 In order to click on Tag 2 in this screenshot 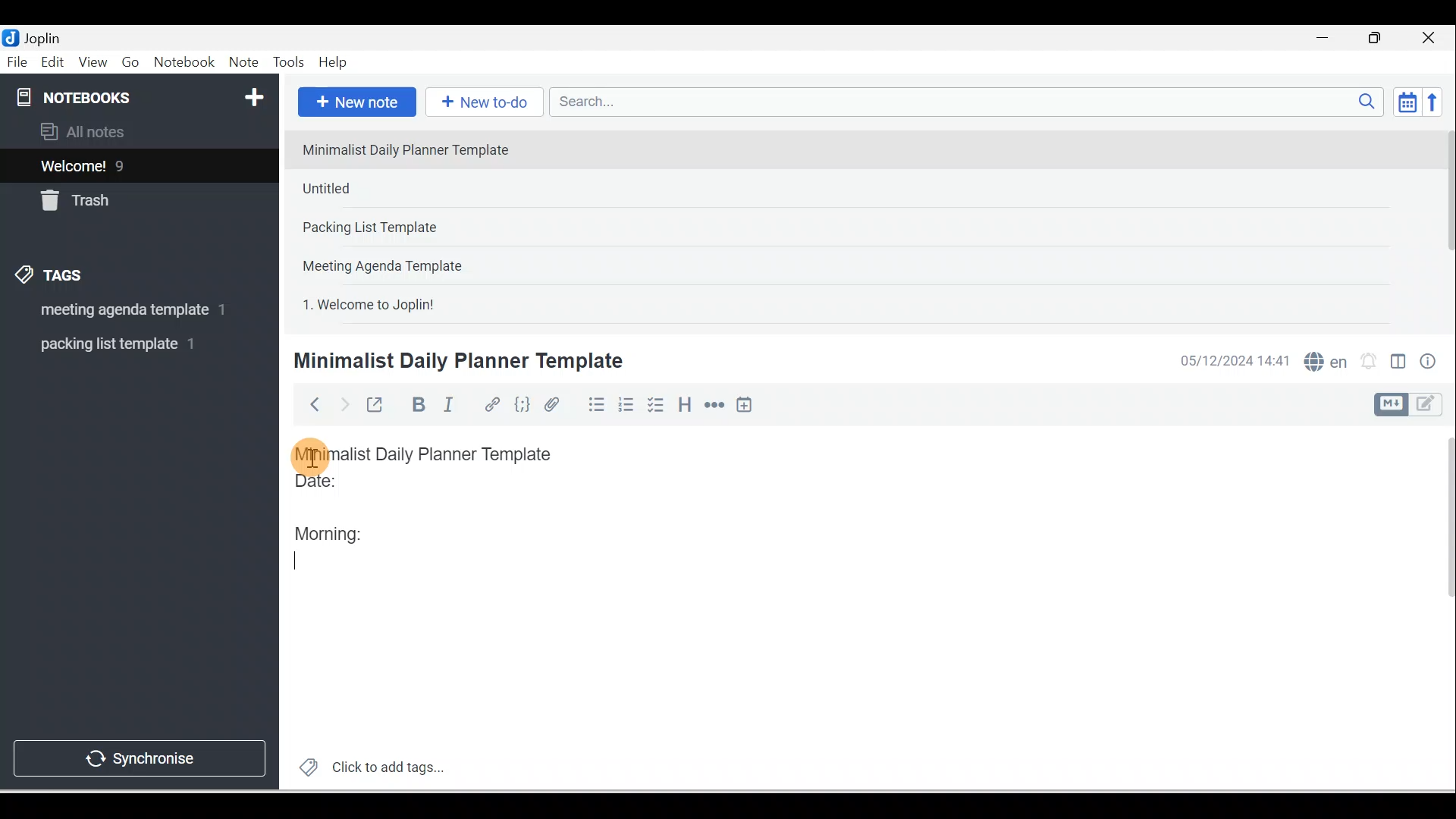, I will do `click(128, 344)`.